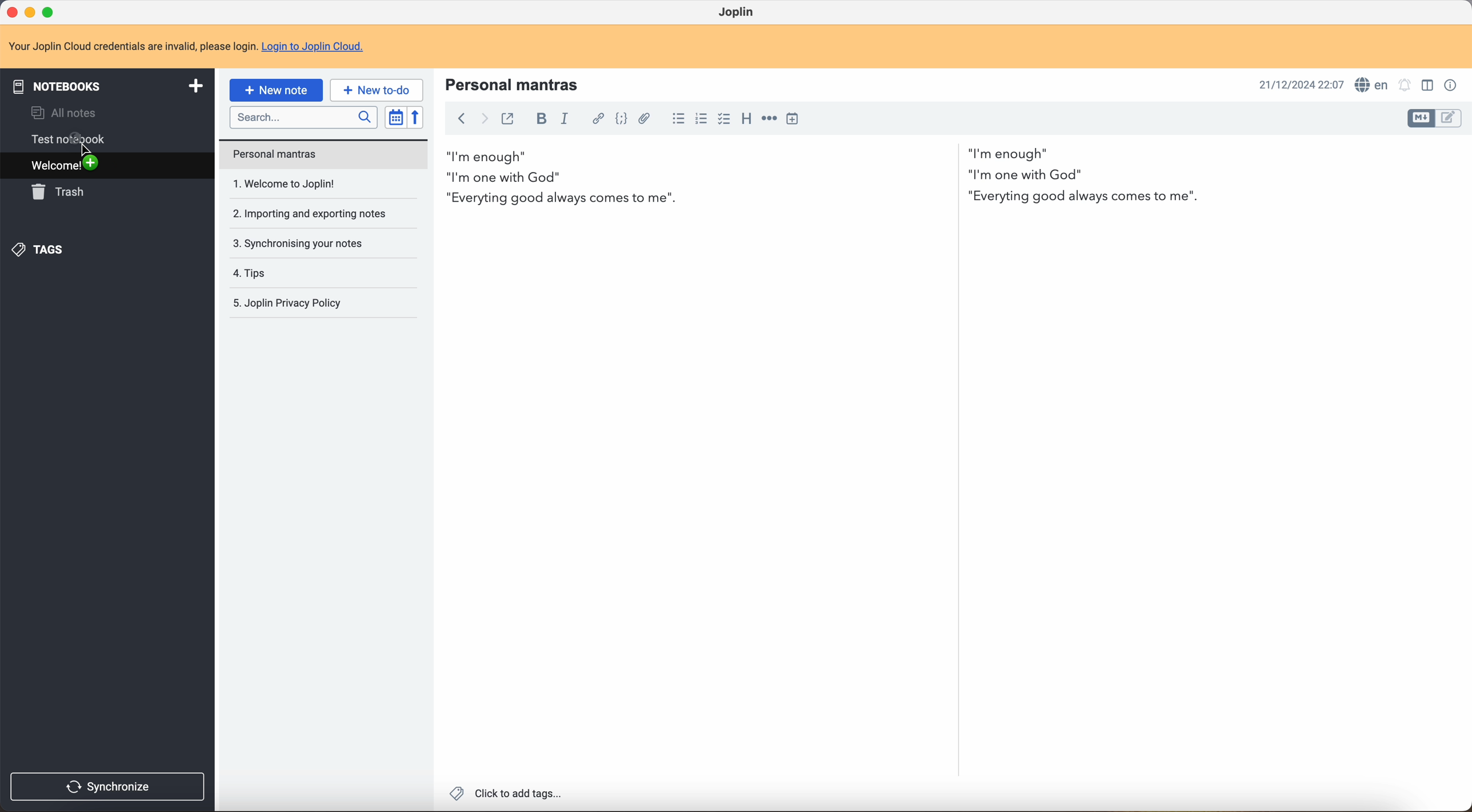 This screenshot has width=1472, height=812. What do you see at coordinates (1455, 85) in the screenshot?
I see `note properties` at bounding box center [1455, 85].